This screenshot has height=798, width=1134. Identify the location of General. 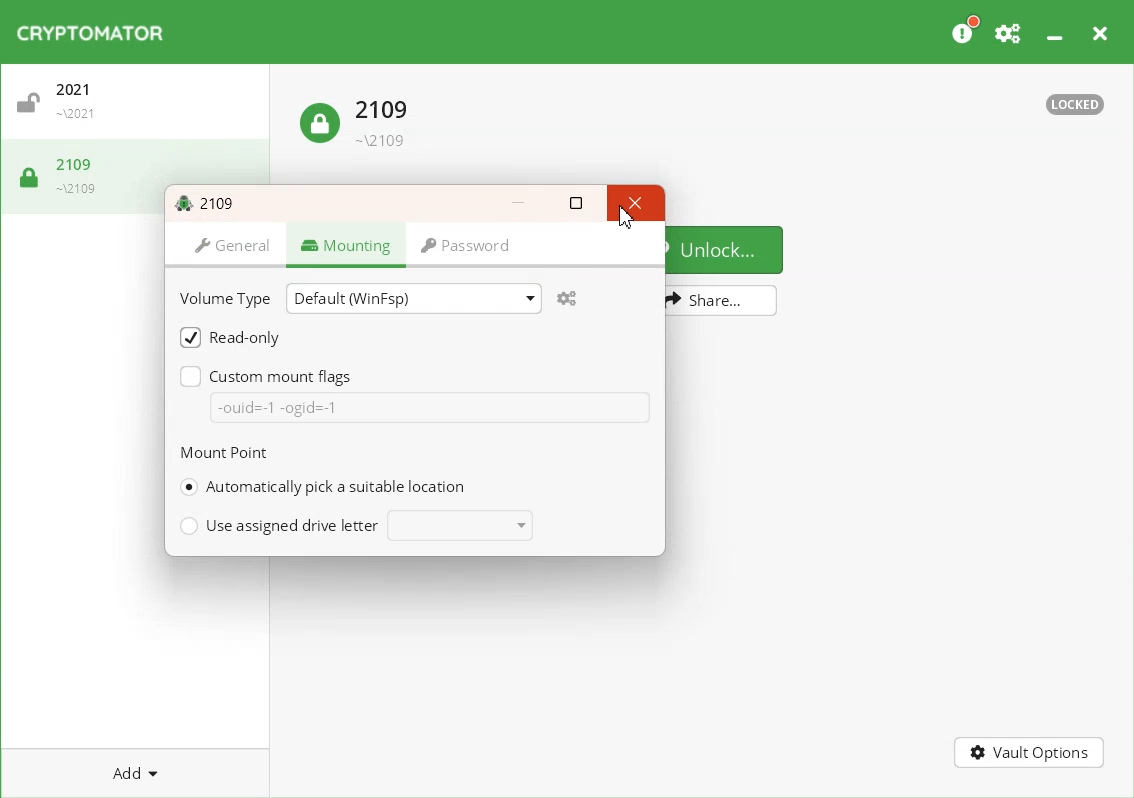
(228, 247).